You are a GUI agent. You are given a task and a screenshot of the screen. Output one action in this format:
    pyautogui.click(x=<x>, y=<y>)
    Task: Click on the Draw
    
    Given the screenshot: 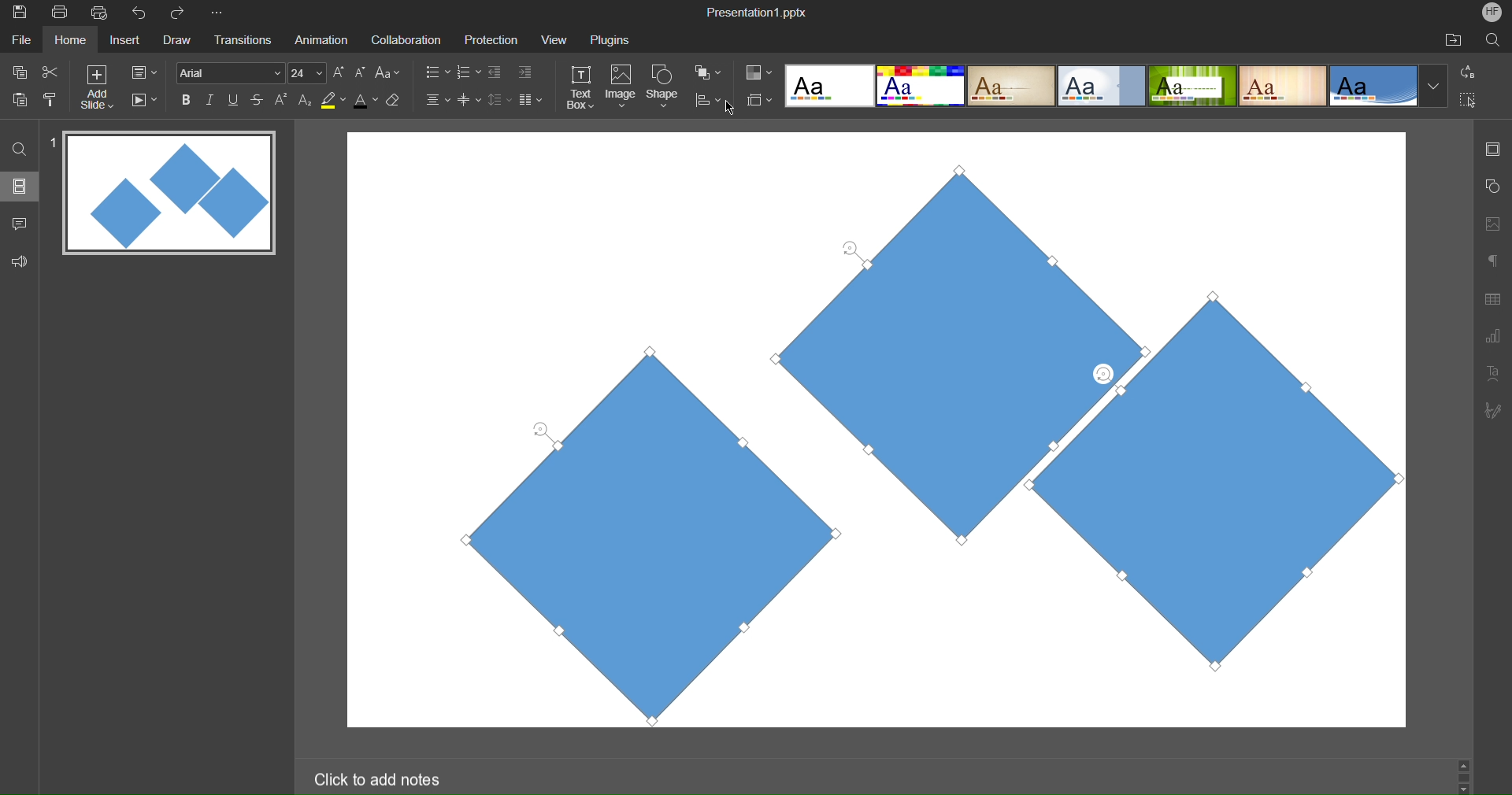 What is the action you would take?
    pyautogui.click(x=176, y=41)
    